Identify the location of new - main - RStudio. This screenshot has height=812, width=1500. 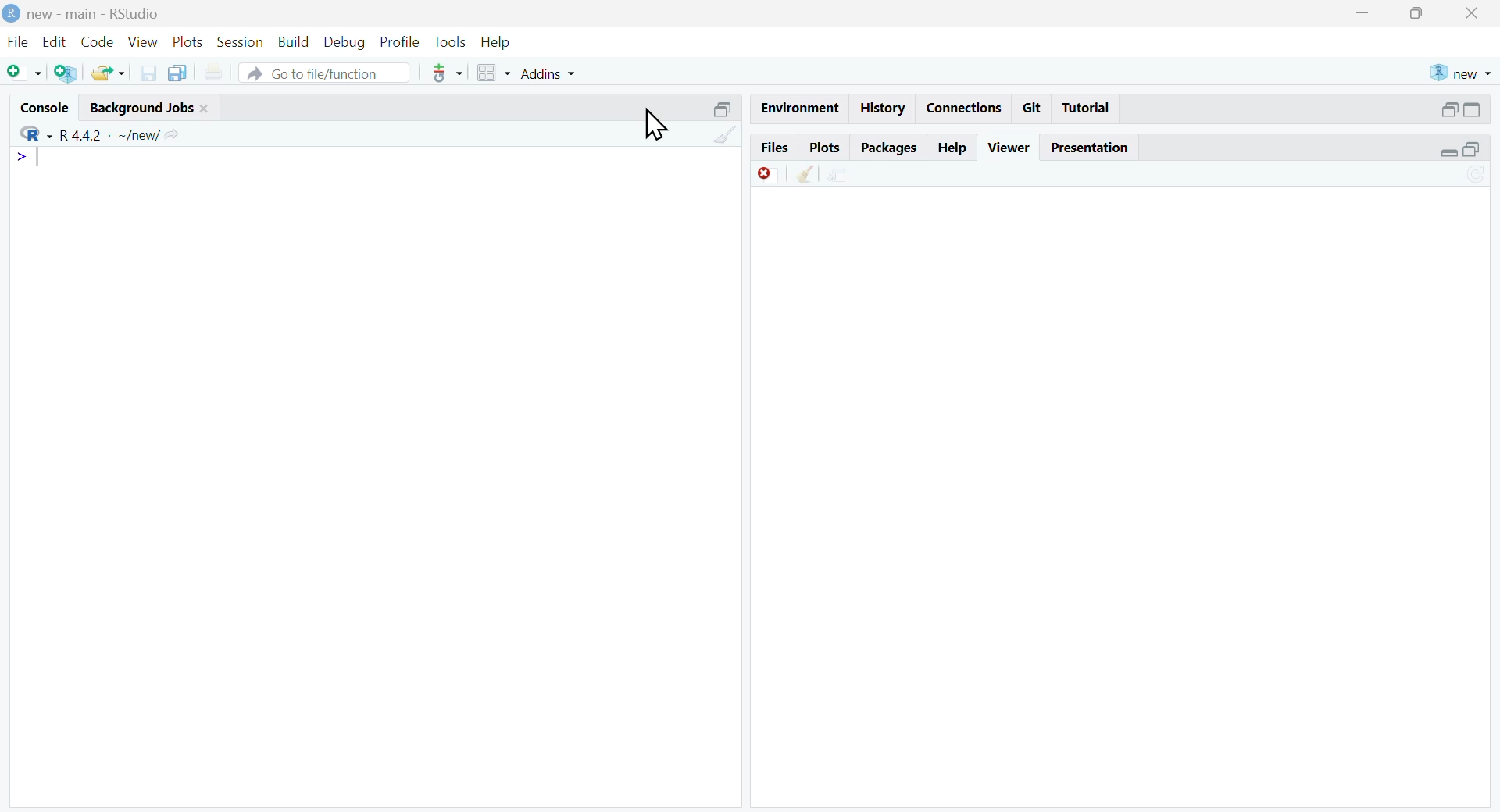
(94, 15).